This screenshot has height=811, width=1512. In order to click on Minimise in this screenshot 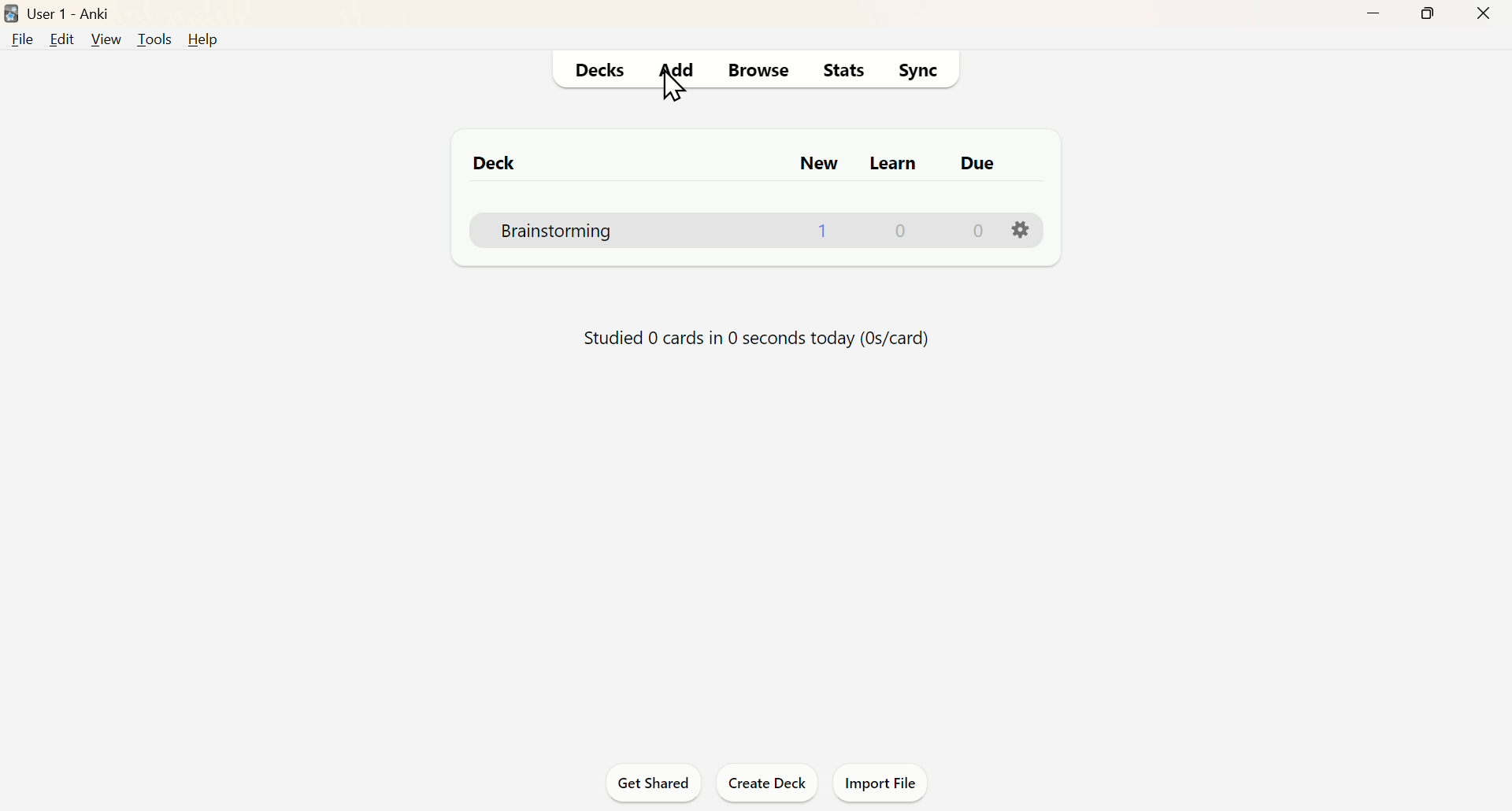, I will do `click(1371, 19)`.